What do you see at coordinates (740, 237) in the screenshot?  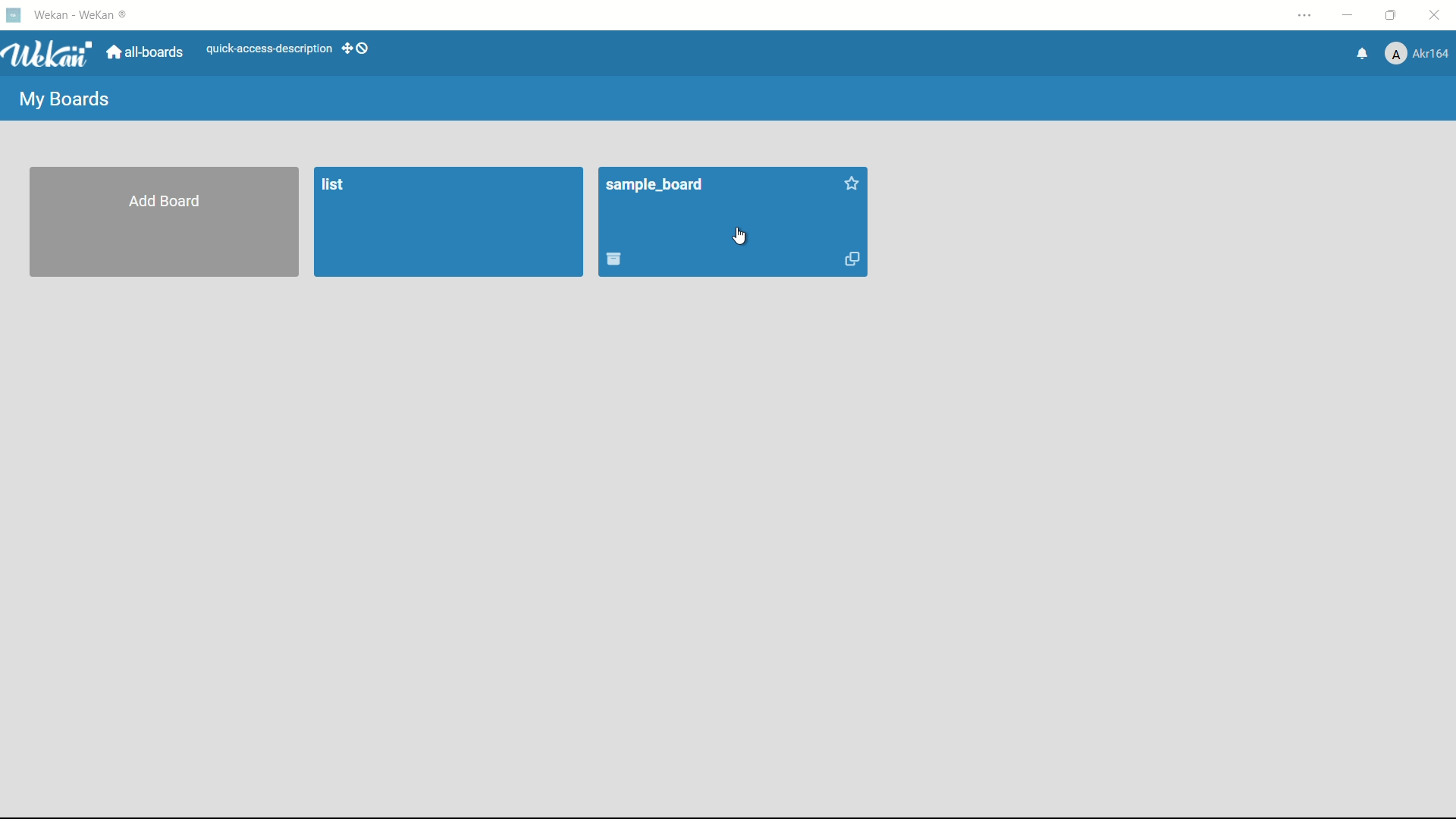 I see `cursor` at bounding box center [740, 237].